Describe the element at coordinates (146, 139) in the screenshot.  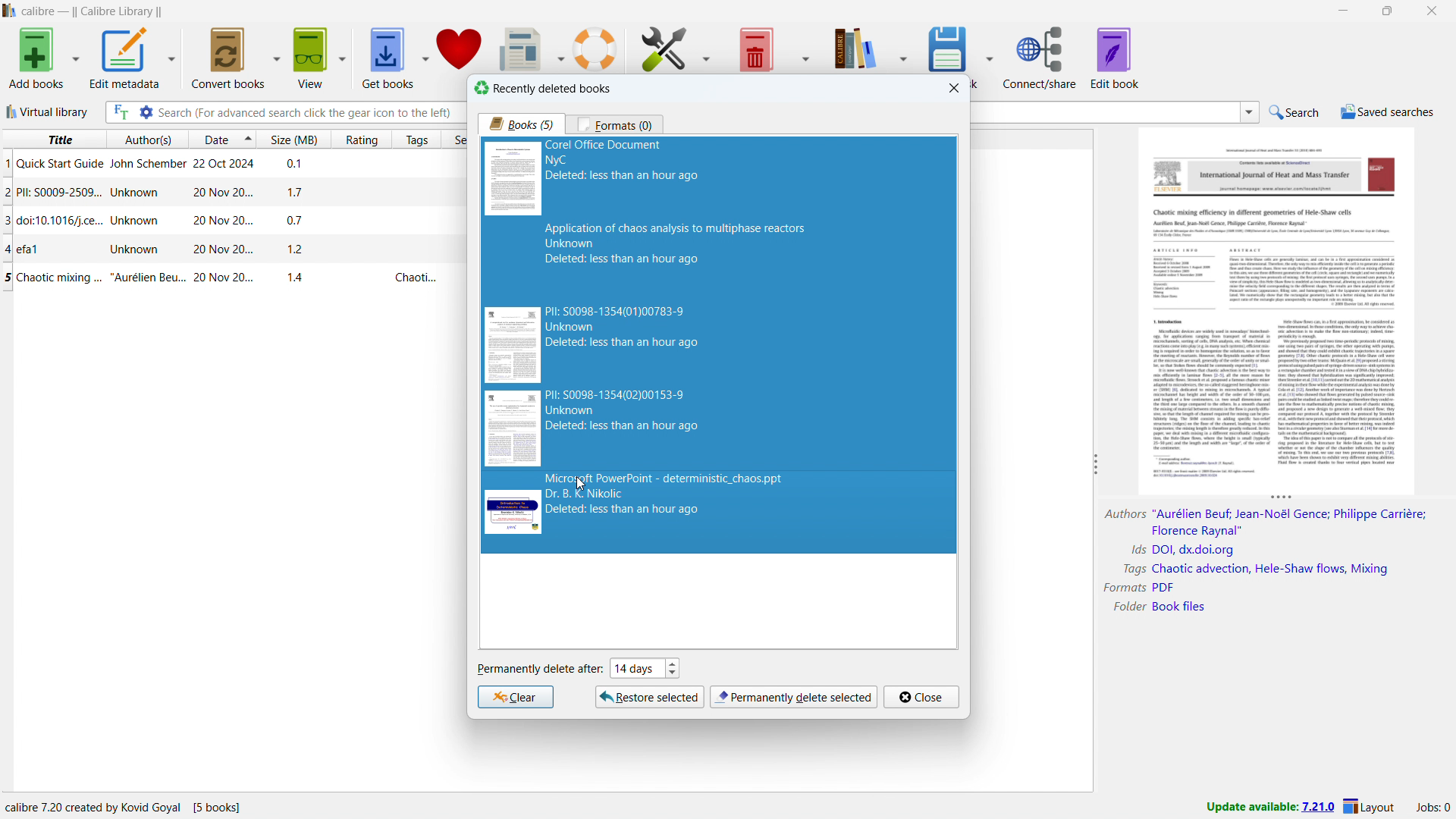
I see `sort by author` at that location.